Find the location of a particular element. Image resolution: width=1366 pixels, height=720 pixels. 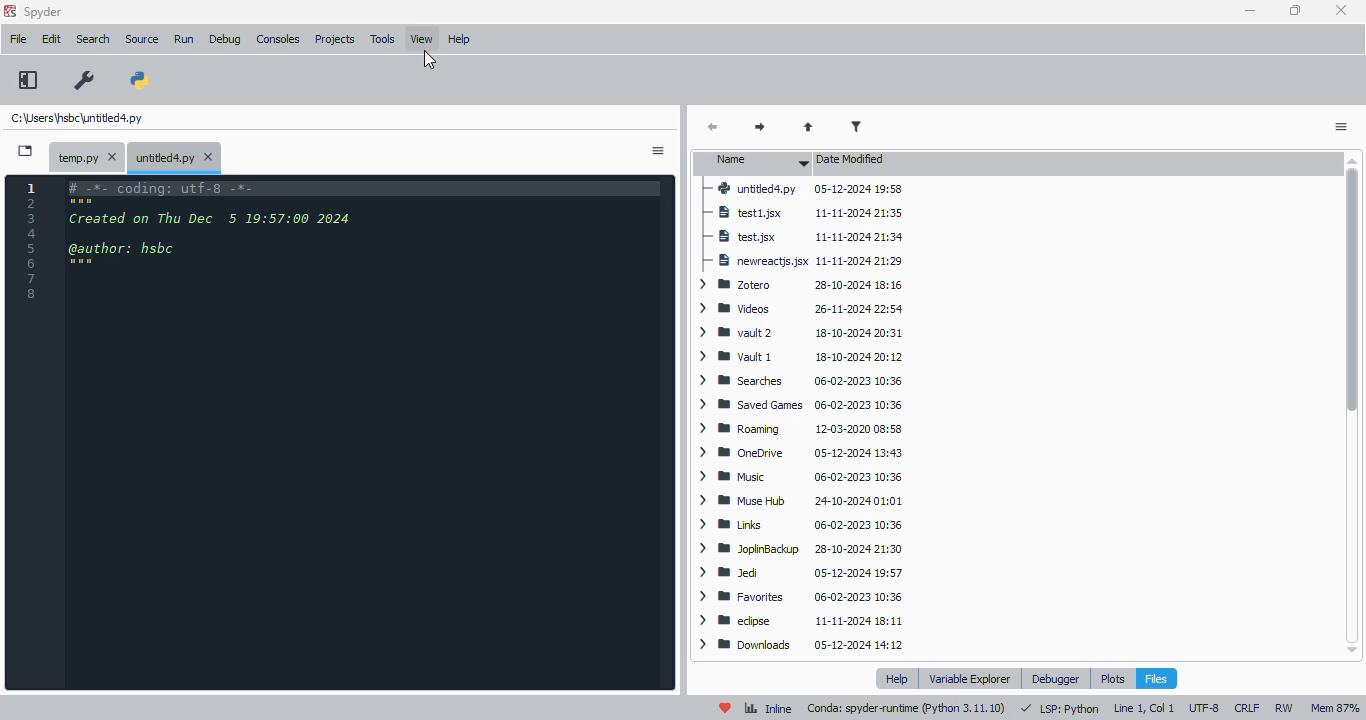

conda: spyder-runtime (python 3. 11. 10) is located at coordinates (908, 709).